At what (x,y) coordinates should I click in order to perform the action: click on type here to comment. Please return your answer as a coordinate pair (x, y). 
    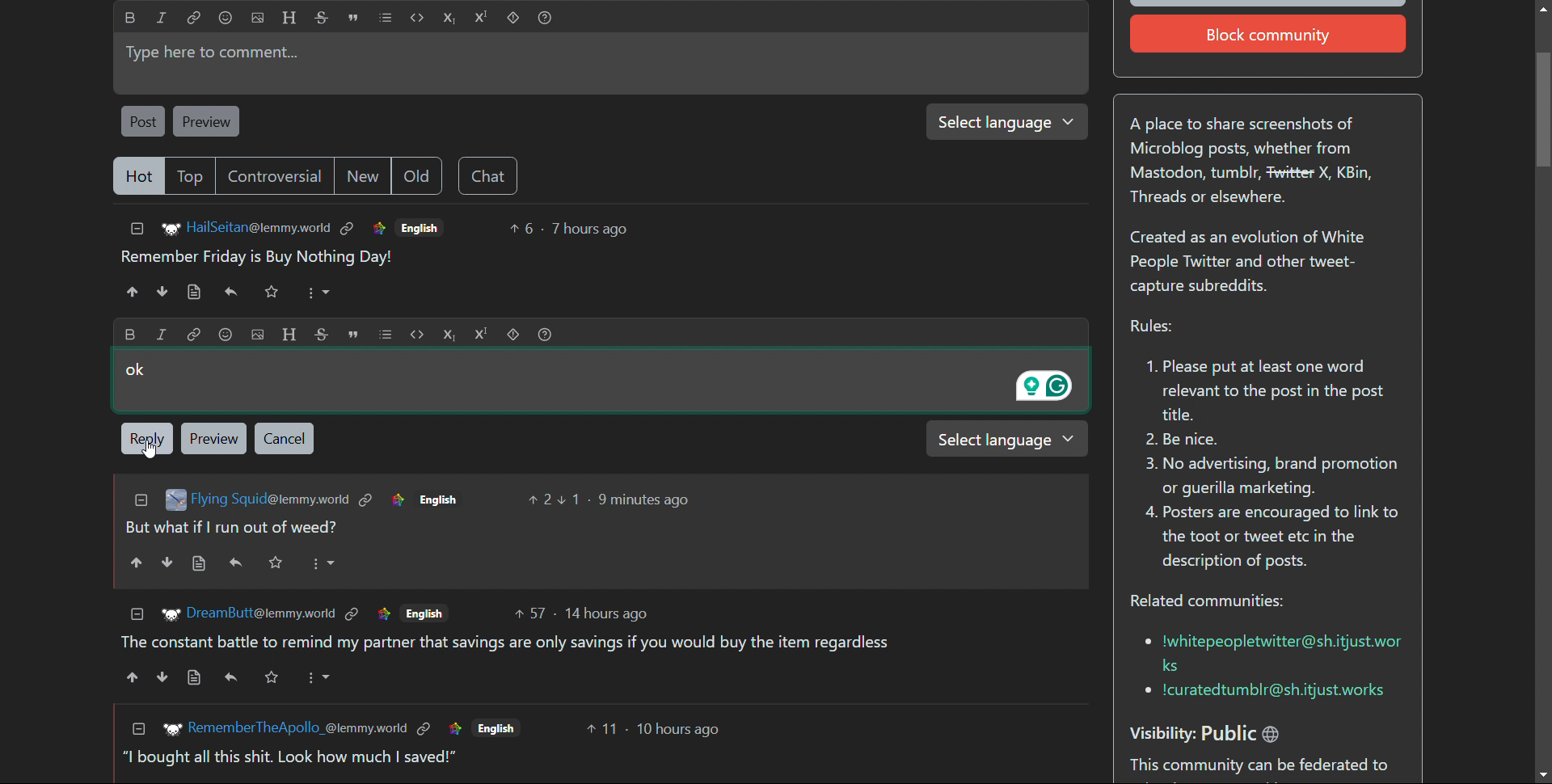
    Looking at the image, I should click on (597, 63).